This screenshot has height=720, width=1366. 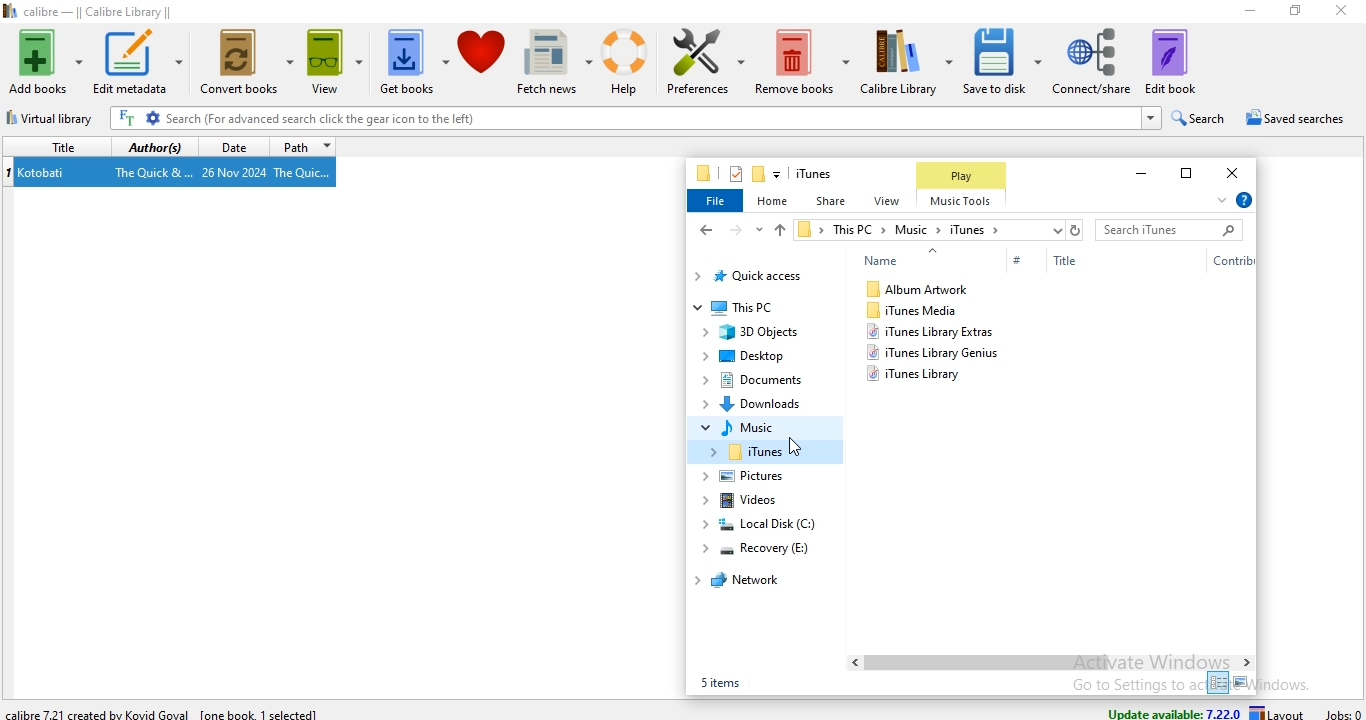 What do you see at coordinates (481, 61) in the screenshot?
I see `donate to calibre` at bounding box center [481, 61].